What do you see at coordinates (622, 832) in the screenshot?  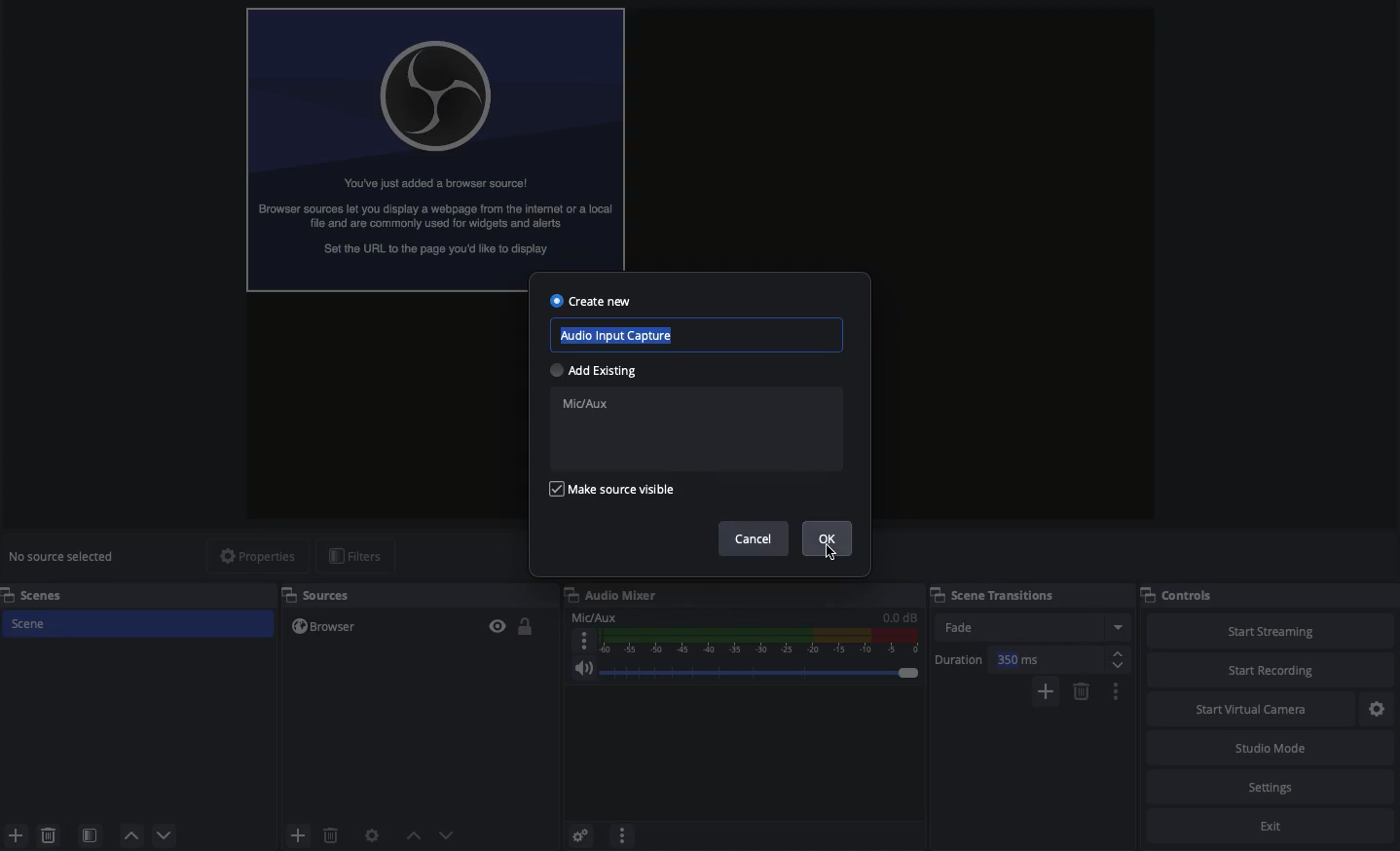 I see `Options` at bounding box center [622, 832].